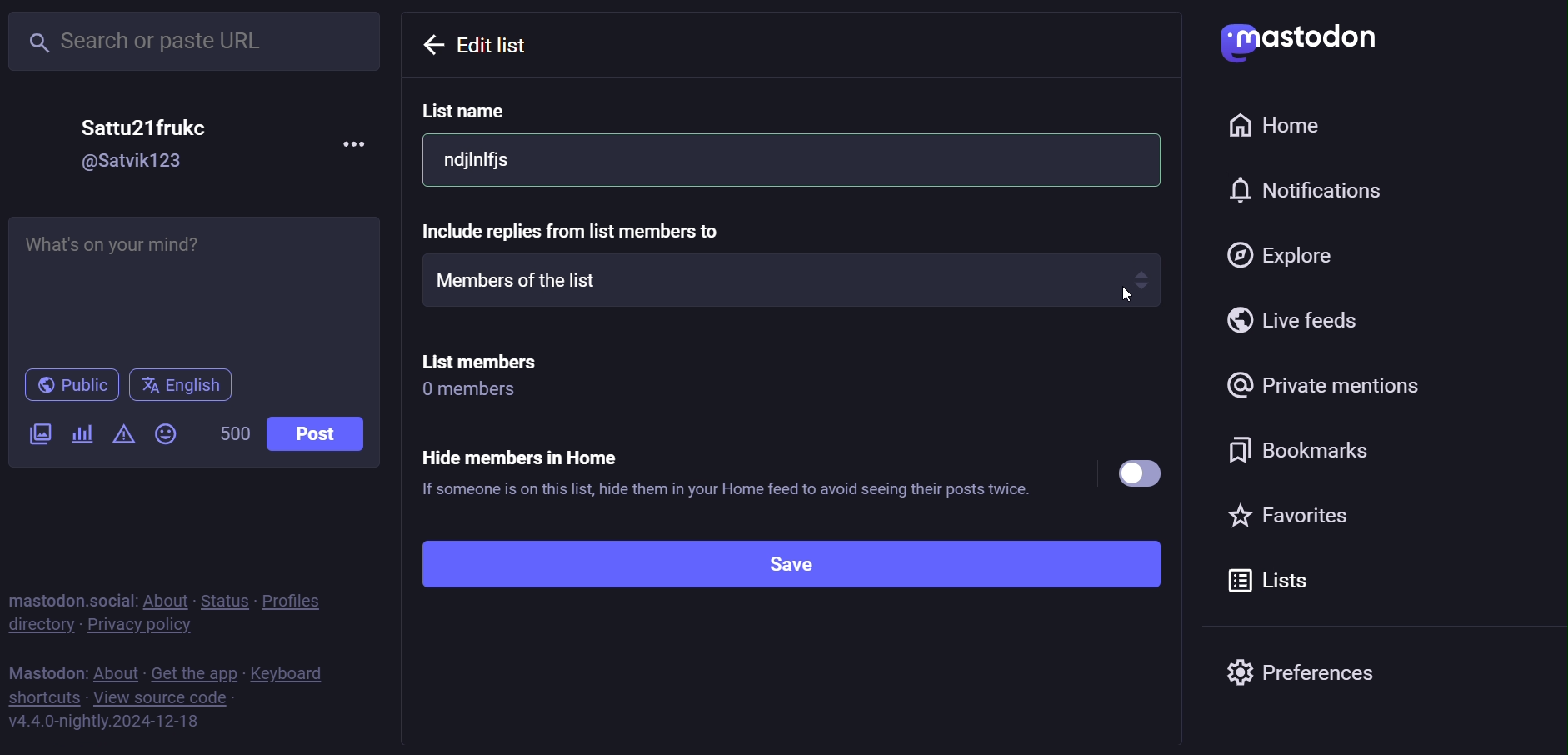 The height and width of the screenshot is (755, 1568). What do you see at coordinates (124, 437) in the screenshot?
I see `content warning` at bounding box center [124, 437].